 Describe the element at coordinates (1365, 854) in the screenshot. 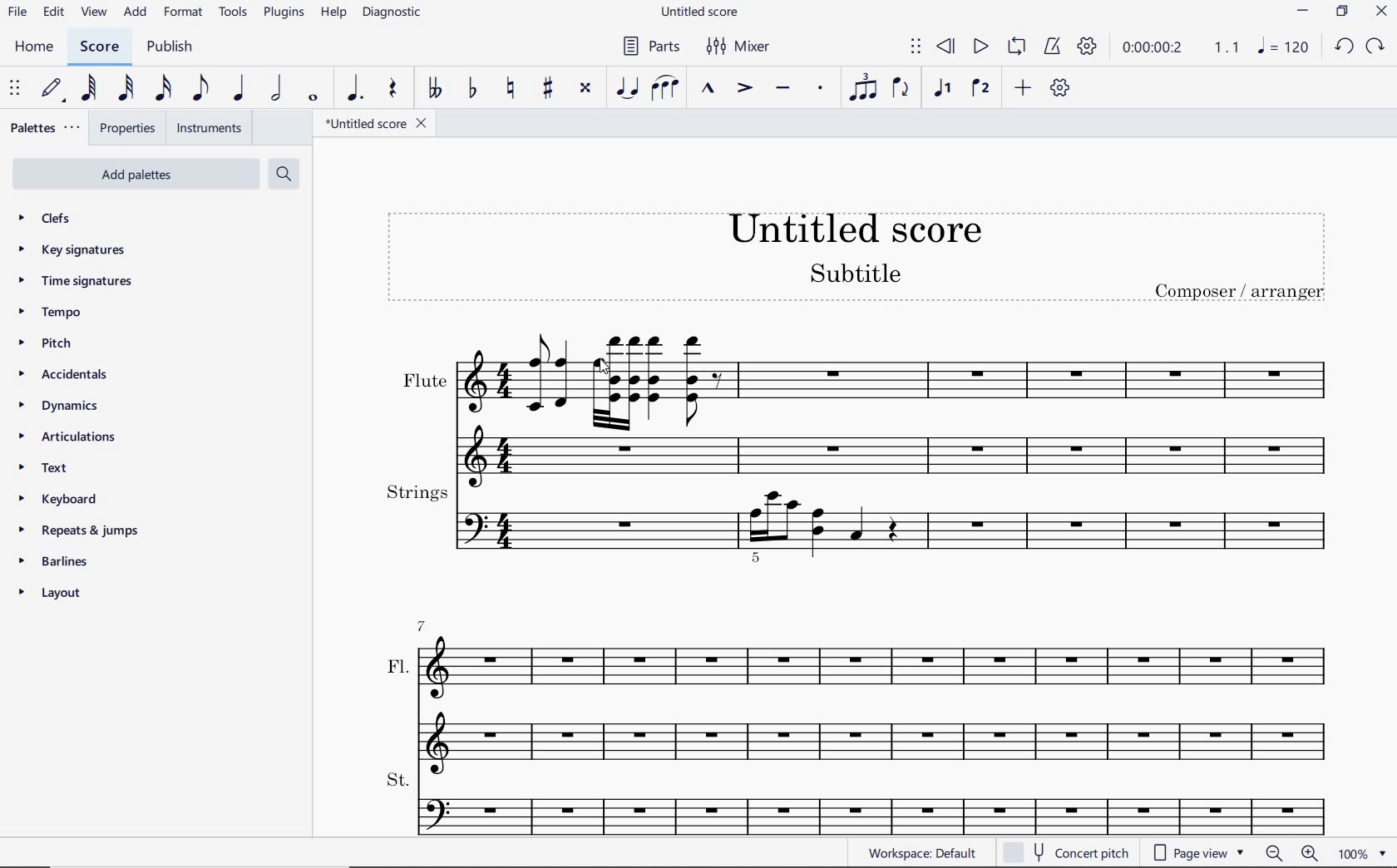

I see `zoom factor` at that location.